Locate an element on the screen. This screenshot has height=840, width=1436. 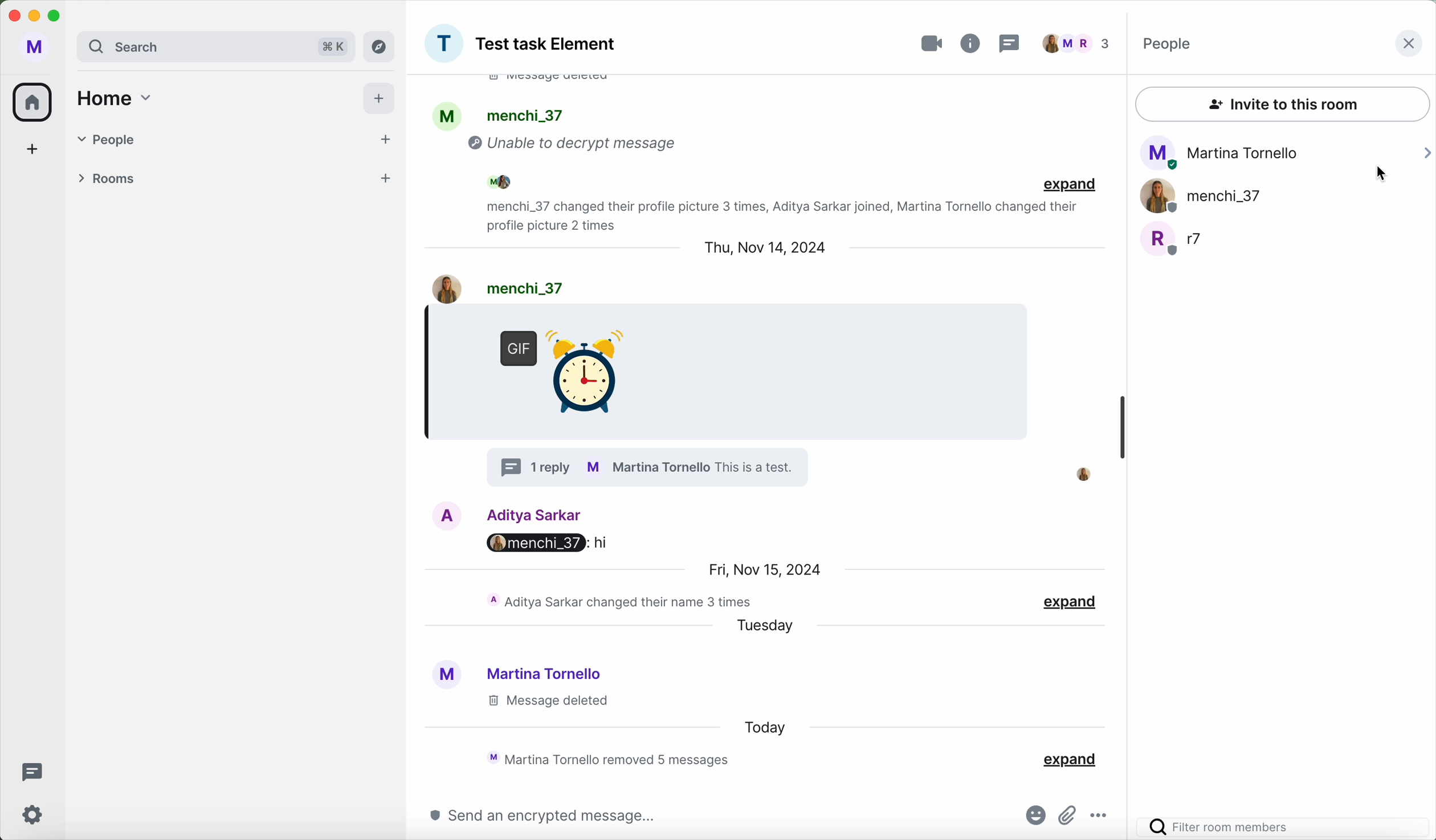
image profile is located at coordinates (448, 515).